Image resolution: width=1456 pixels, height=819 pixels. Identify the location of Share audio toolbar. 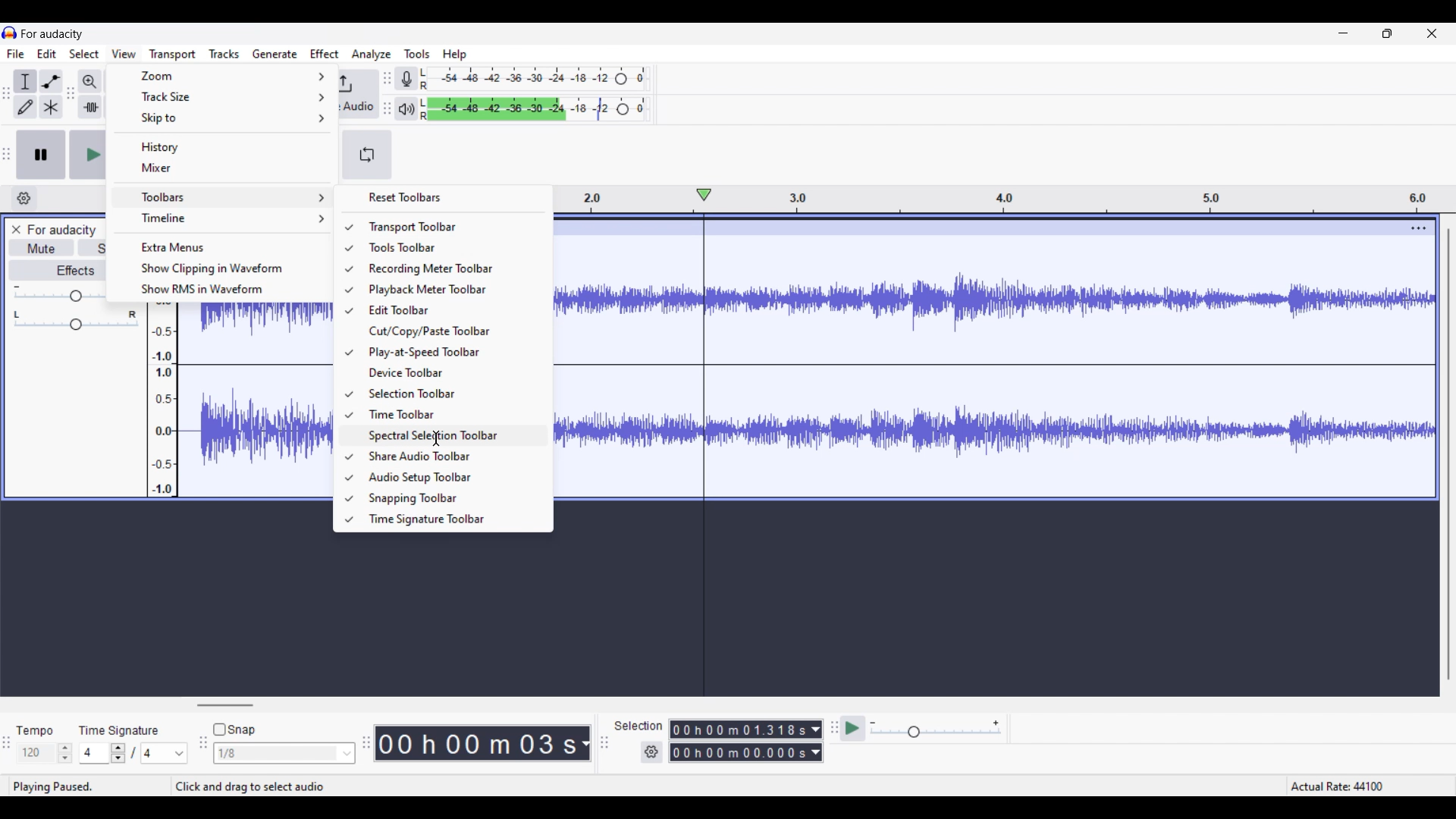
(450, 457).